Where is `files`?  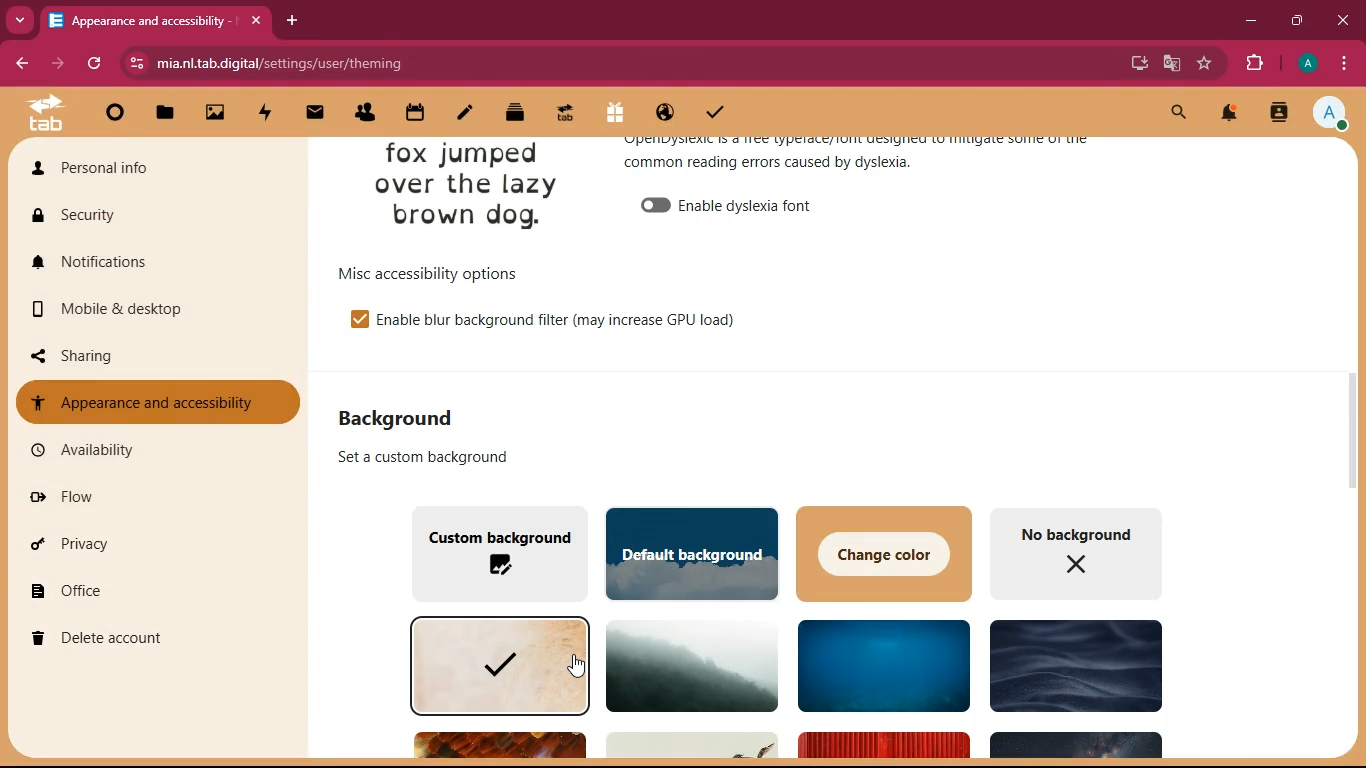 files is located at coordinates (164, 115).